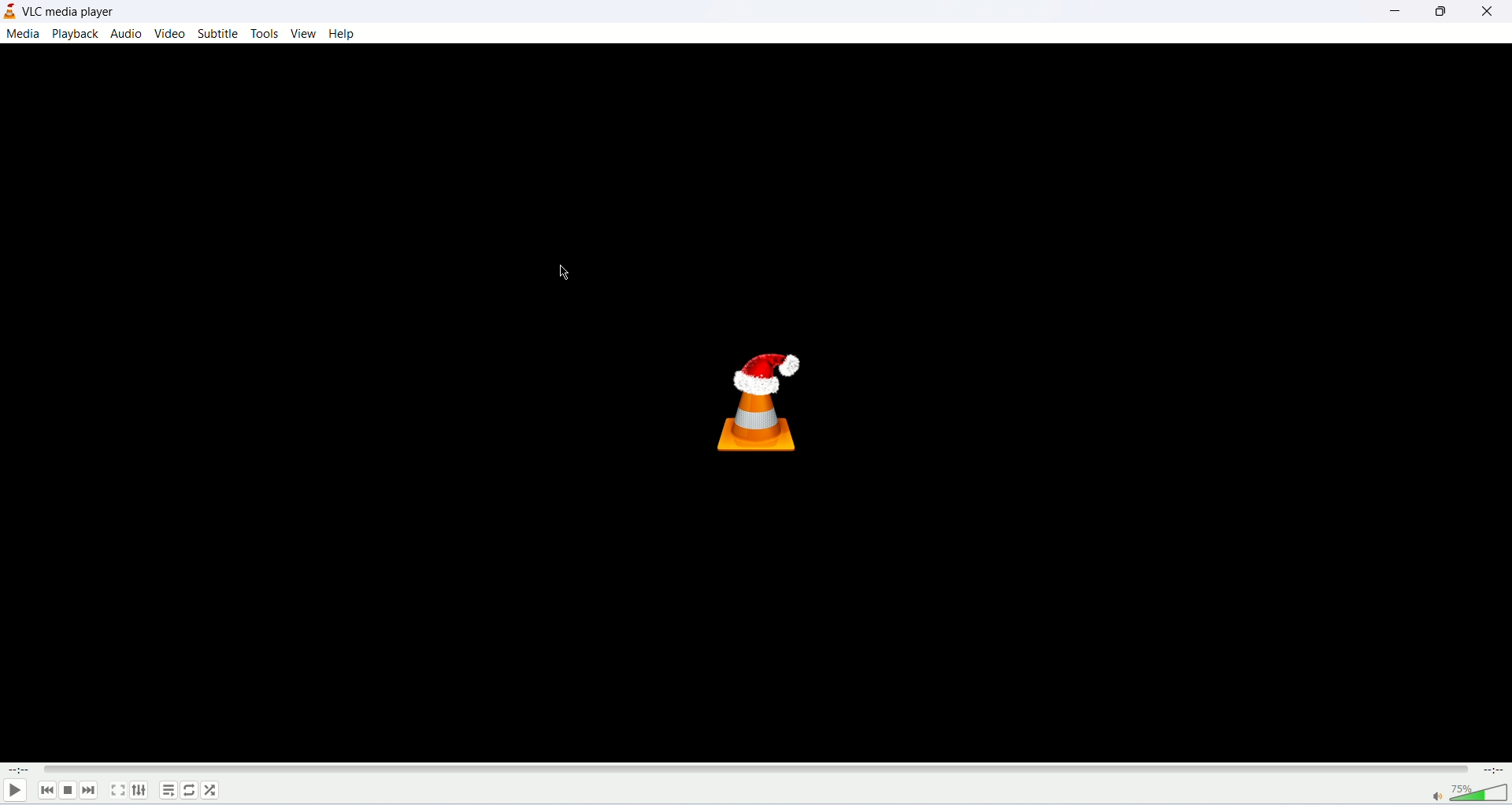  Describe the element at coordinates (17, 771) in the screenshot. I see `played time` at that location.